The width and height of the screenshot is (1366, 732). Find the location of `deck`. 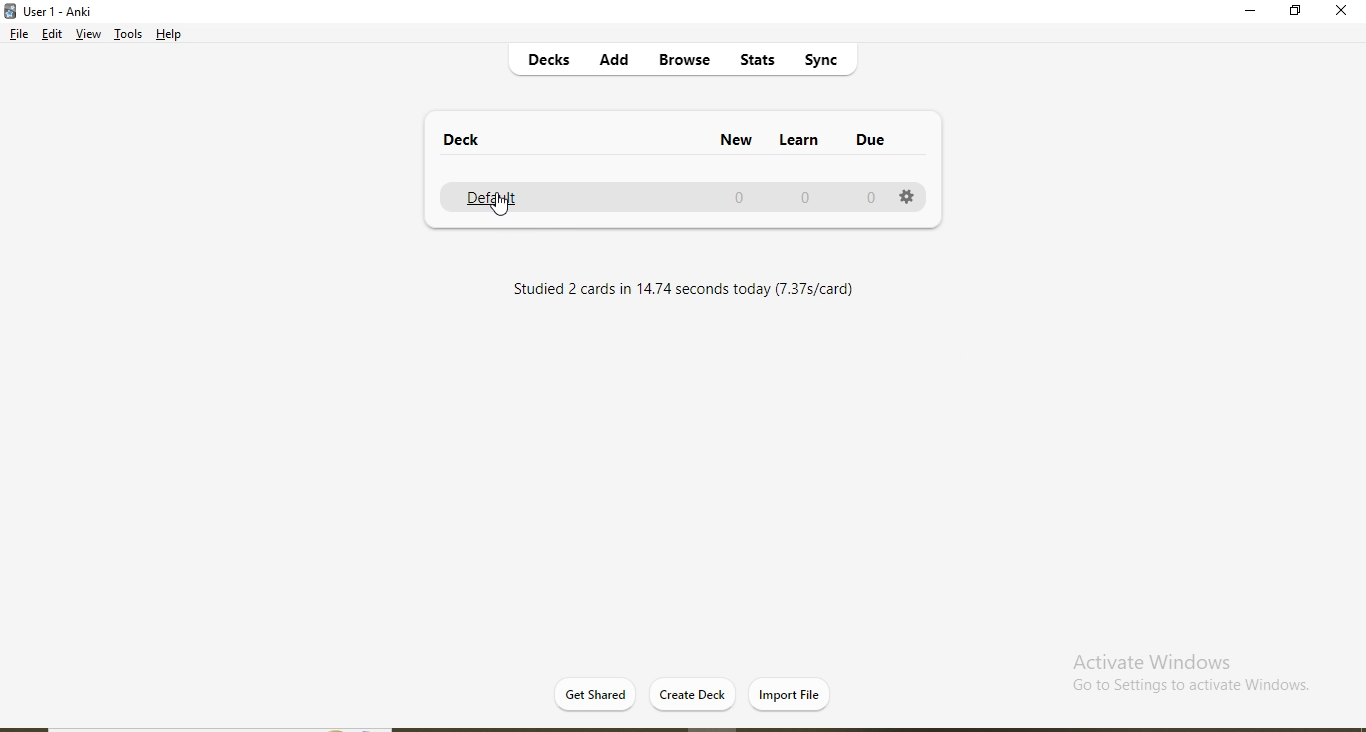

deck is located at coordinates (469, 142).